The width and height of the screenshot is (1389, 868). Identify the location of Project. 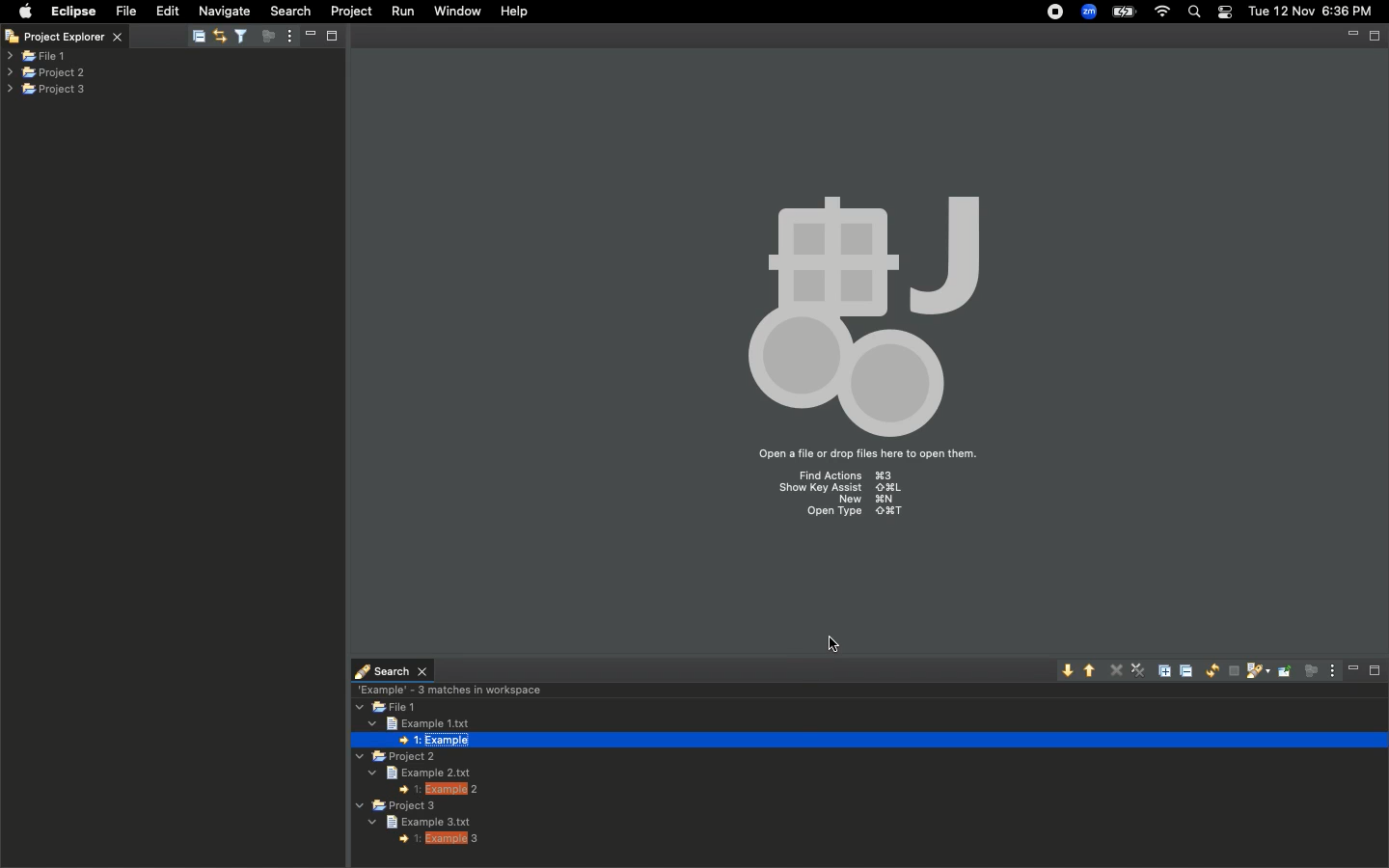
(351, 12).